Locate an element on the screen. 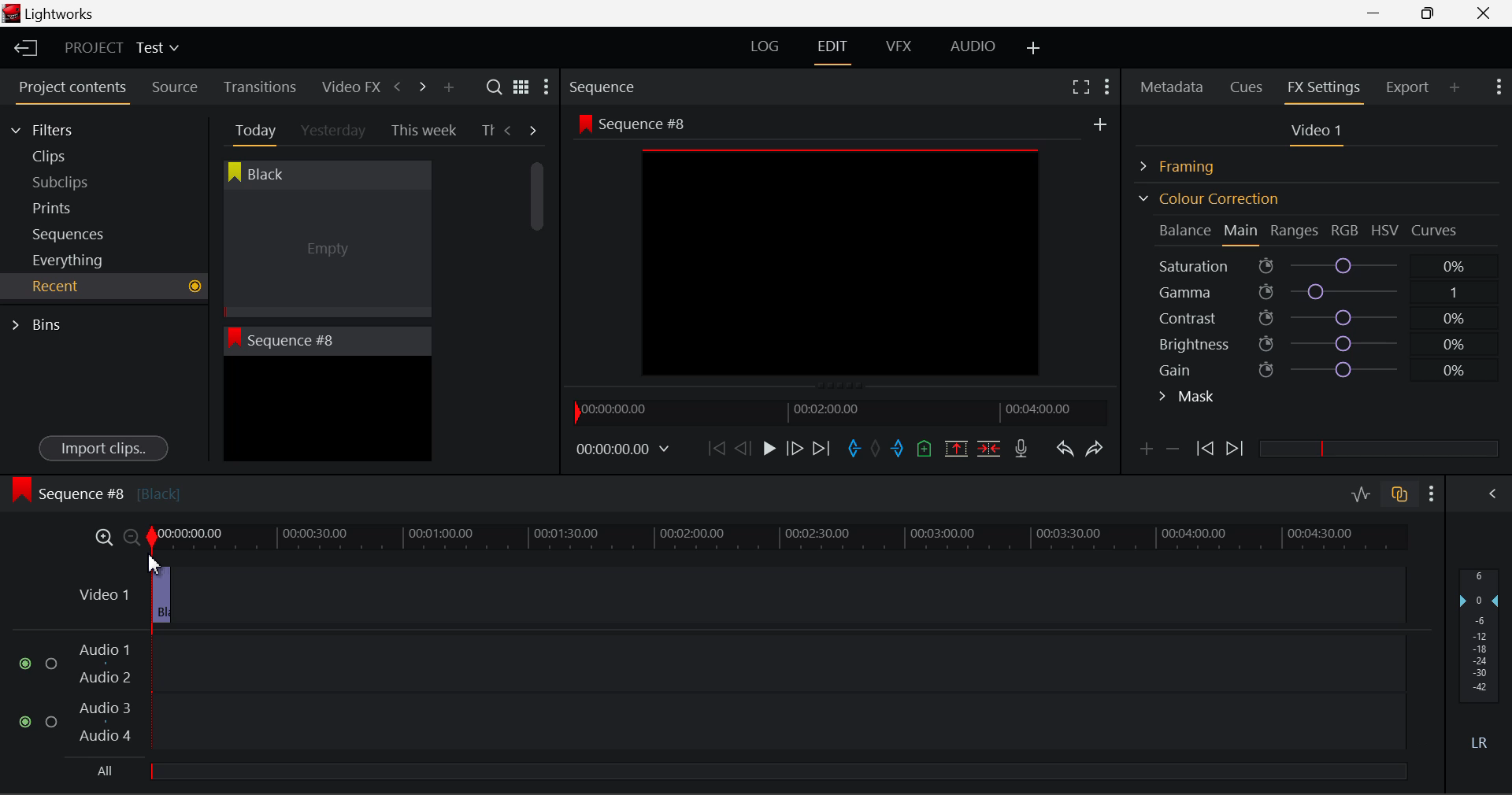 Image resolution: width=1512 pixels, height=795 pixels. Prints is located at coordinates (74, 205).